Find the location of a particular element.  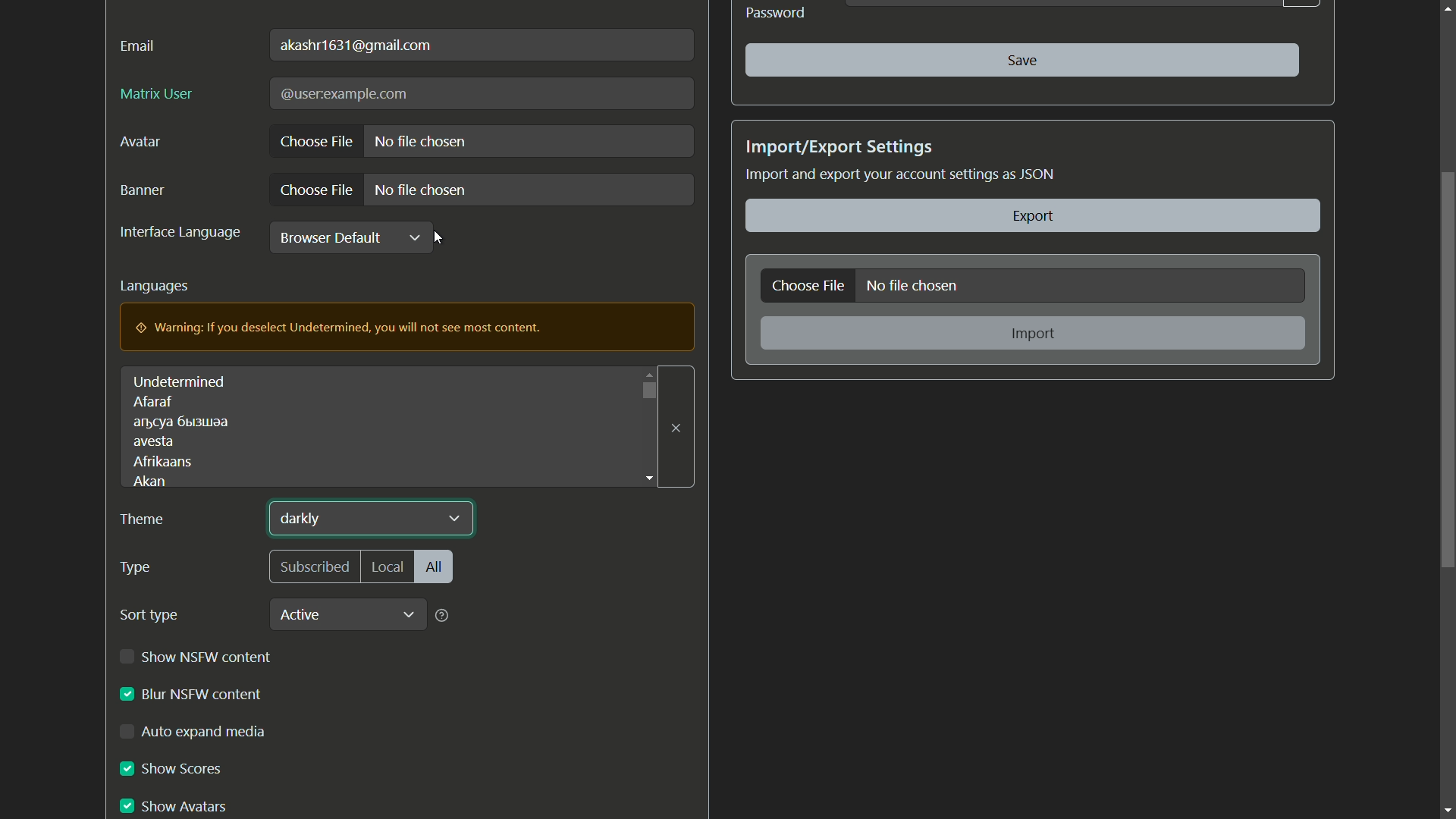

subscribed is located at coordinates (316, 567).